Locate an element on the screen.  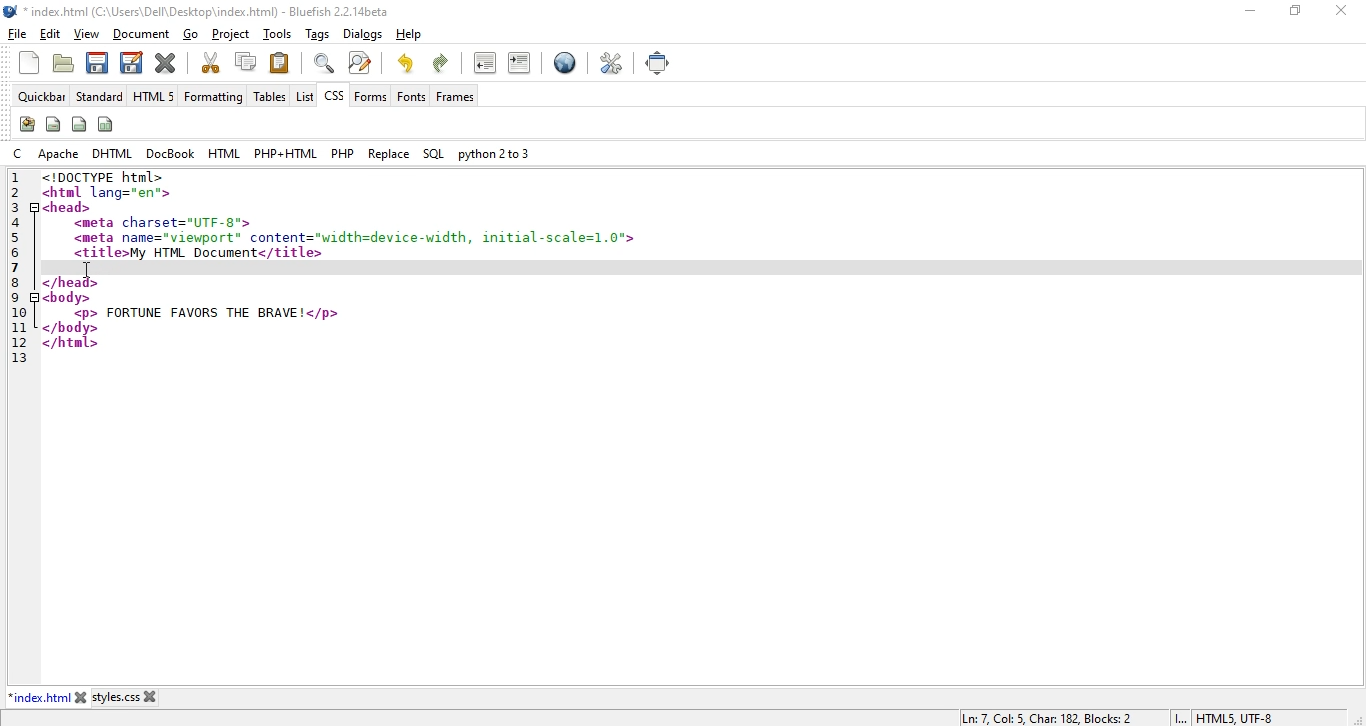
bluefish logo is located at coordinates (12, 12).